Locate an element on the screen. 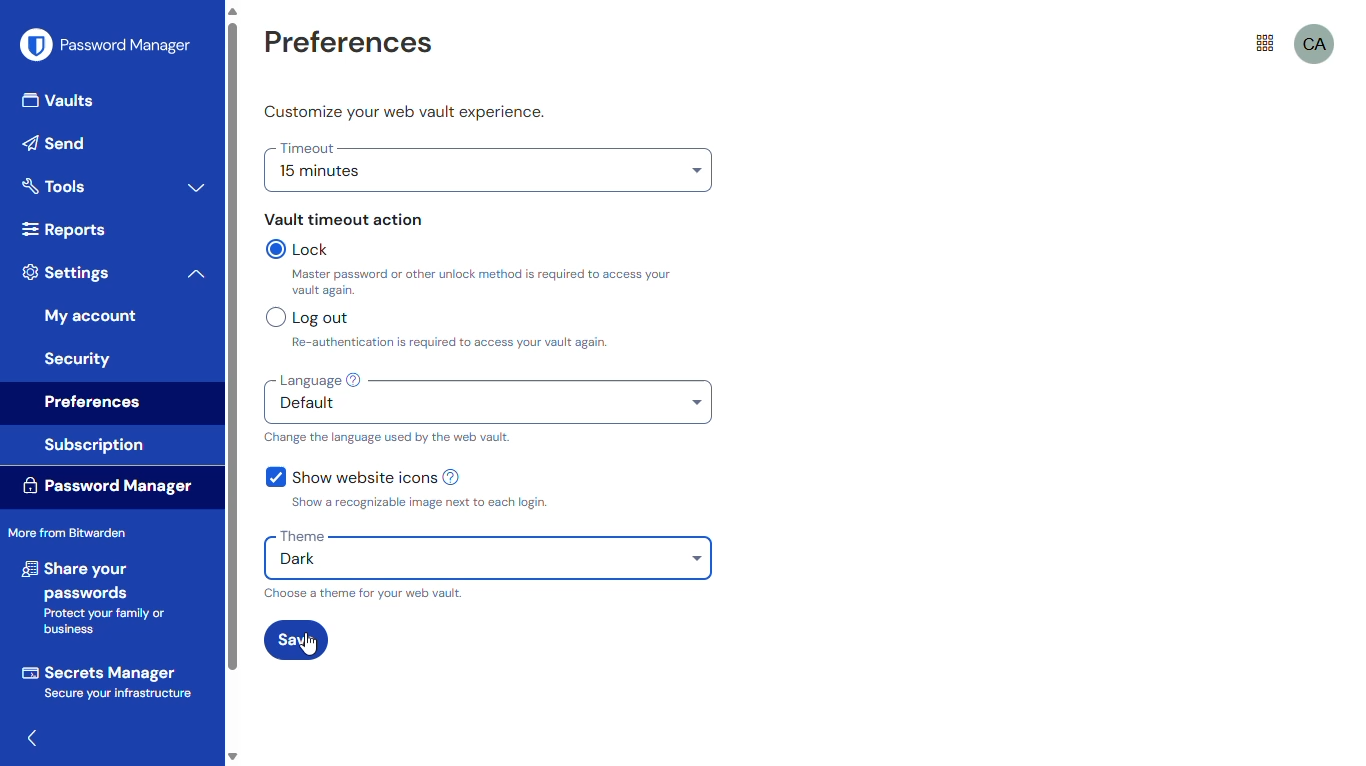  15 minutes is located at coordinates (488, 175).